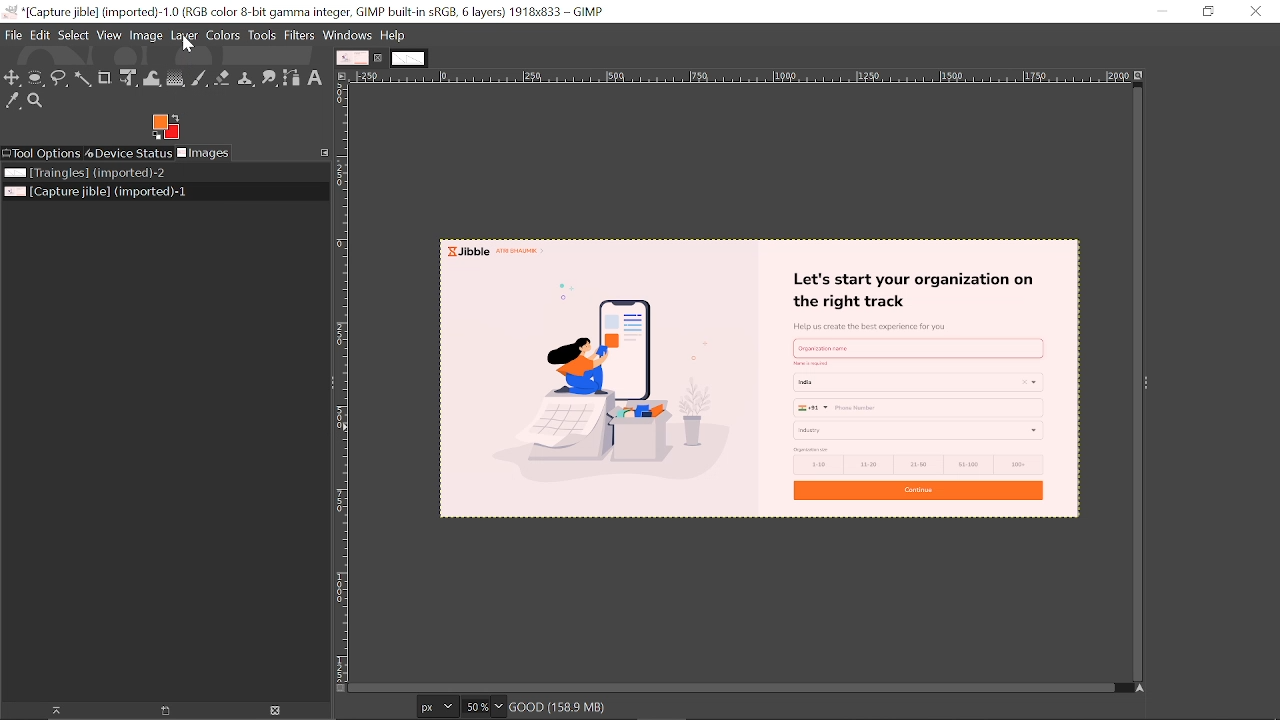 This screenshot has height=720, width=1280. What do you see at coordinates (81, 81) in the screenshot?
I see `Fuzzy select tool` at bounding box center [81, 81].